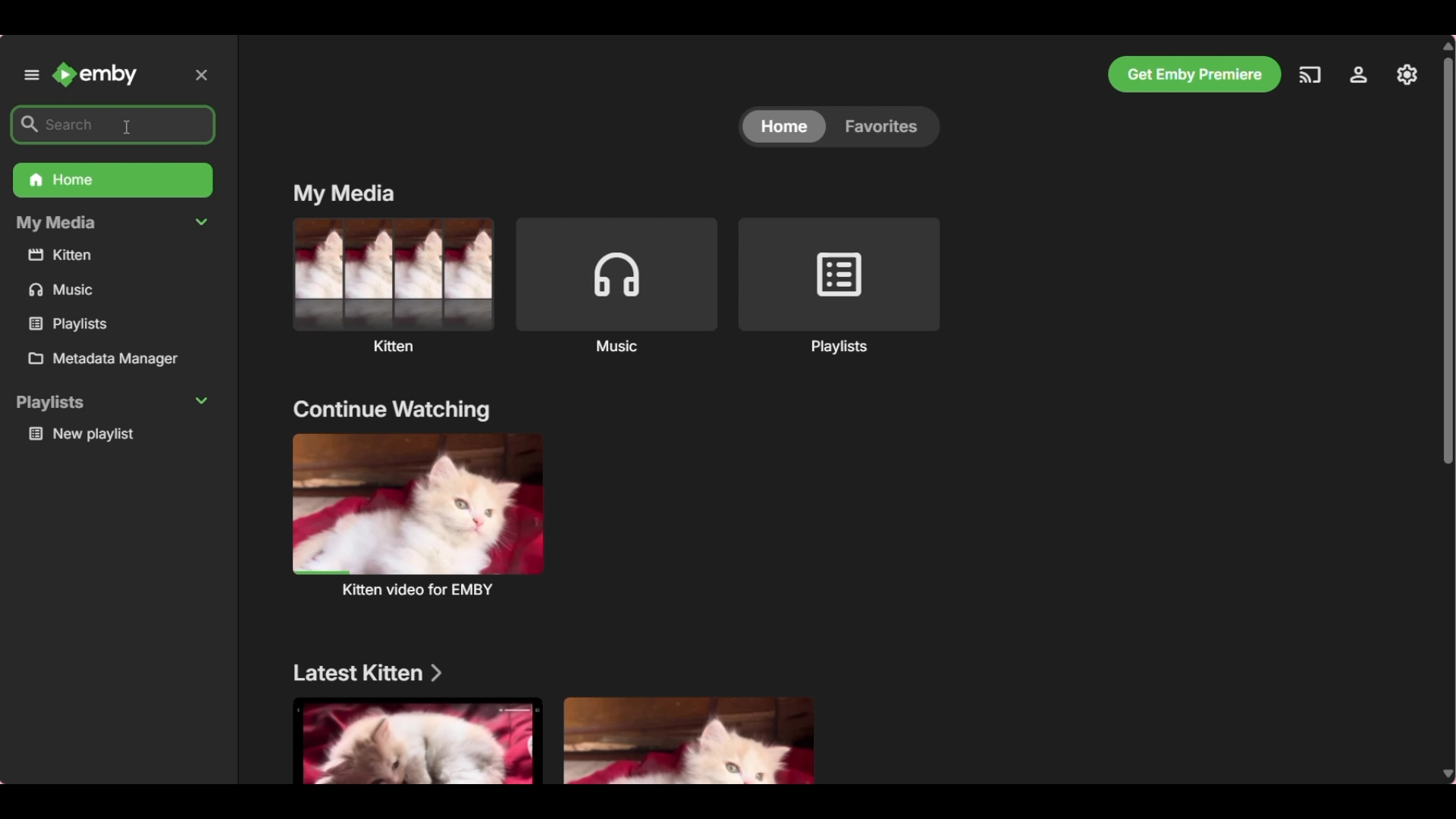  What do you see at coordinates (113, 182) in the screenshot?
I see `Home` at bounding box center [113, 182].